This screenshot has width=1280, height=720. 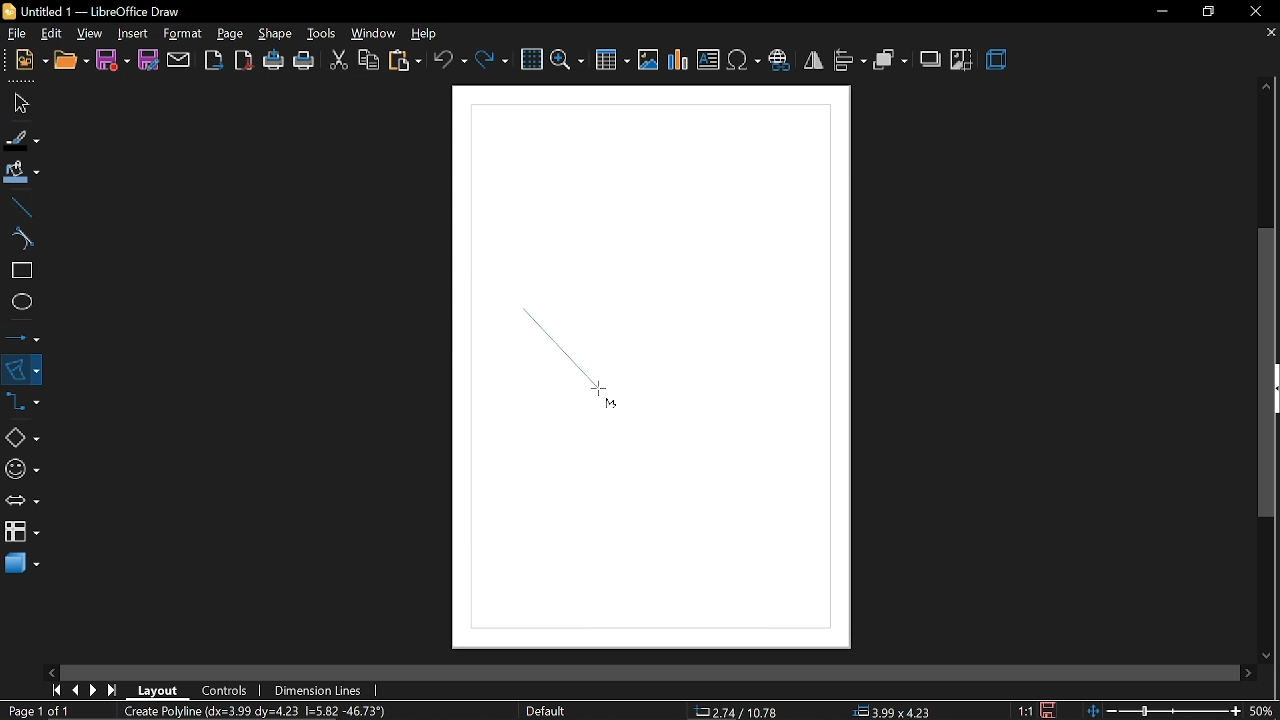 I want to click on insert hyperlink, so click(x=782, y=58).